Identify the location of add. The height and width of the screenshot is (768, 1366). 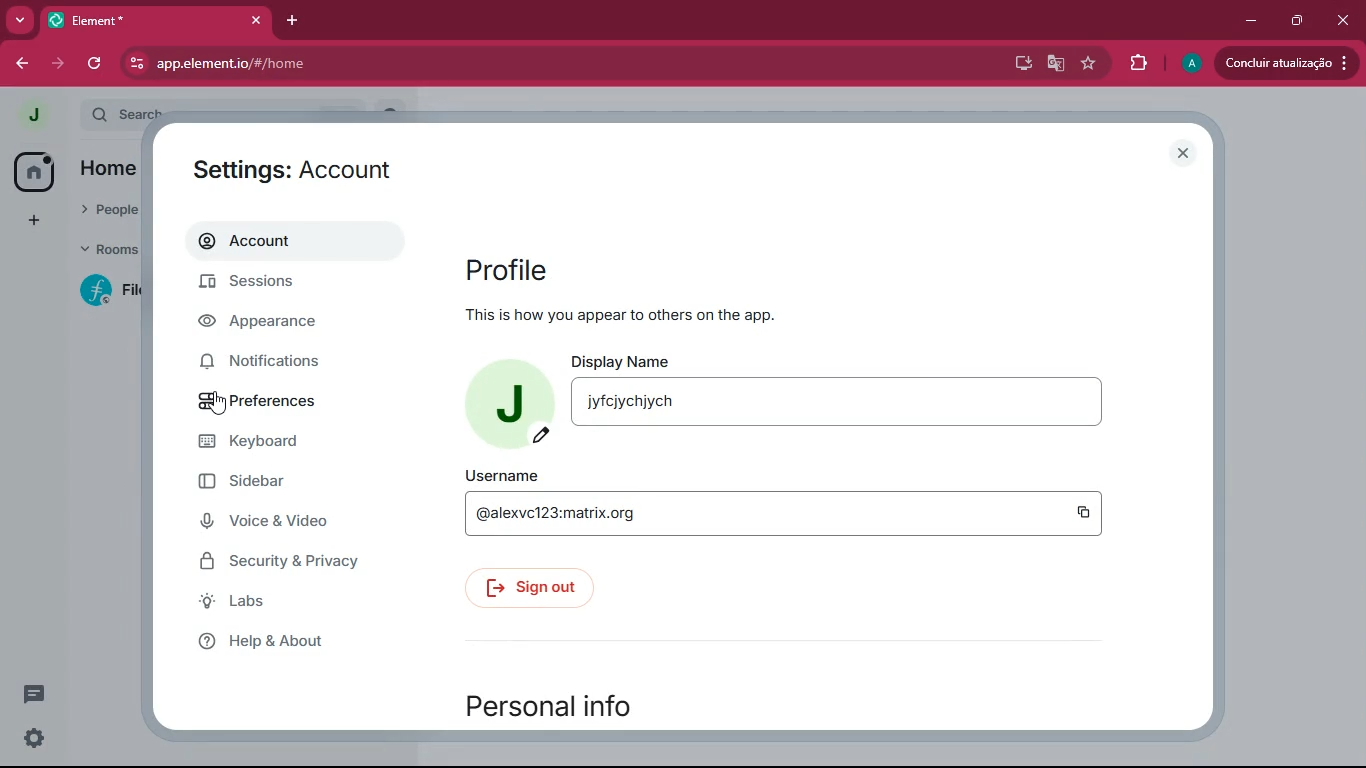
(30, 224).